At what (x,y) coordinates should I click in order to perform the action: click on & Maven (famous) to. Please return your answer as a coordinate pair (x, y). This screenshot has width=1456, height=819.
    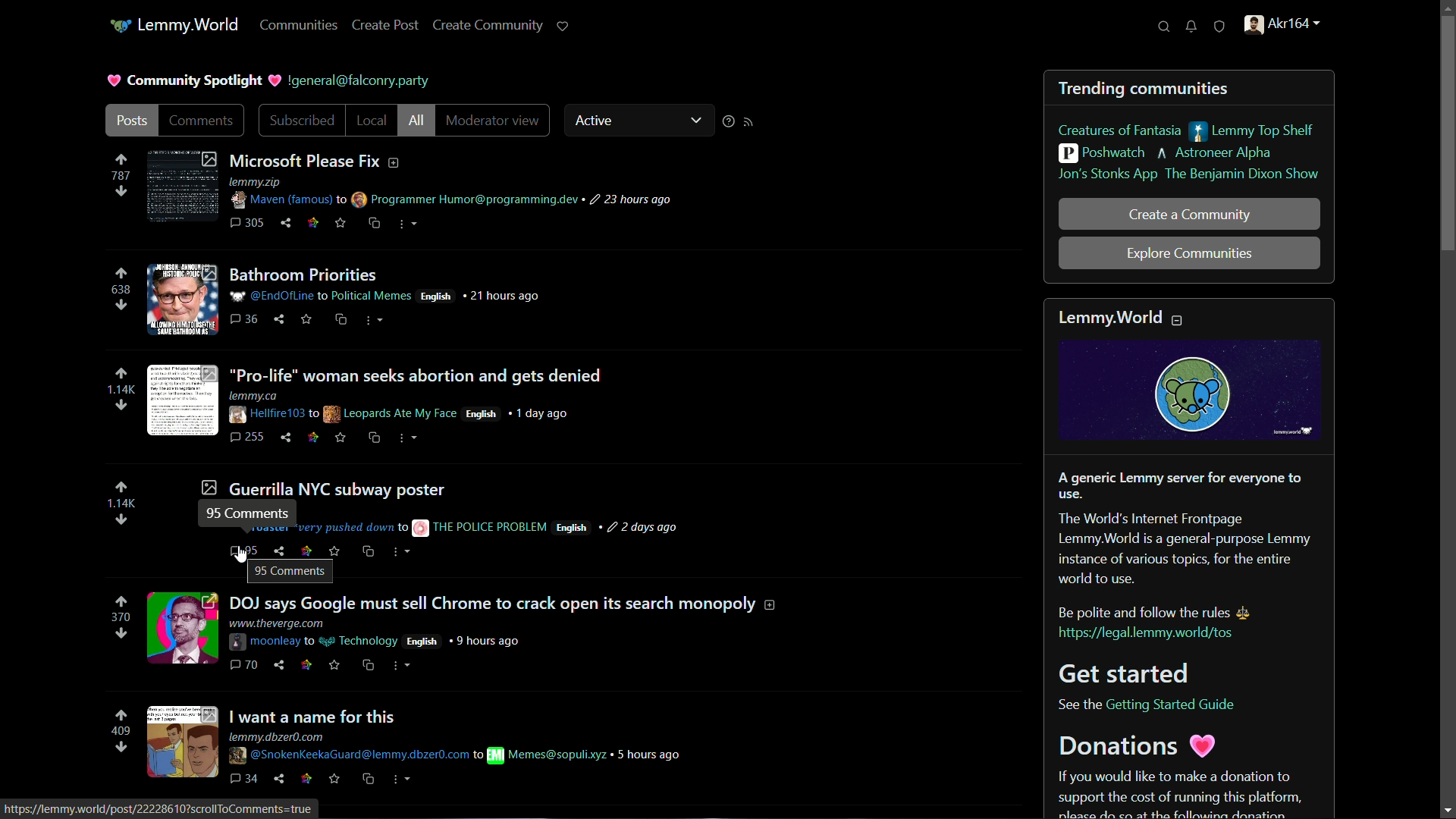
    Looking at the image, I should click on (289, 199).